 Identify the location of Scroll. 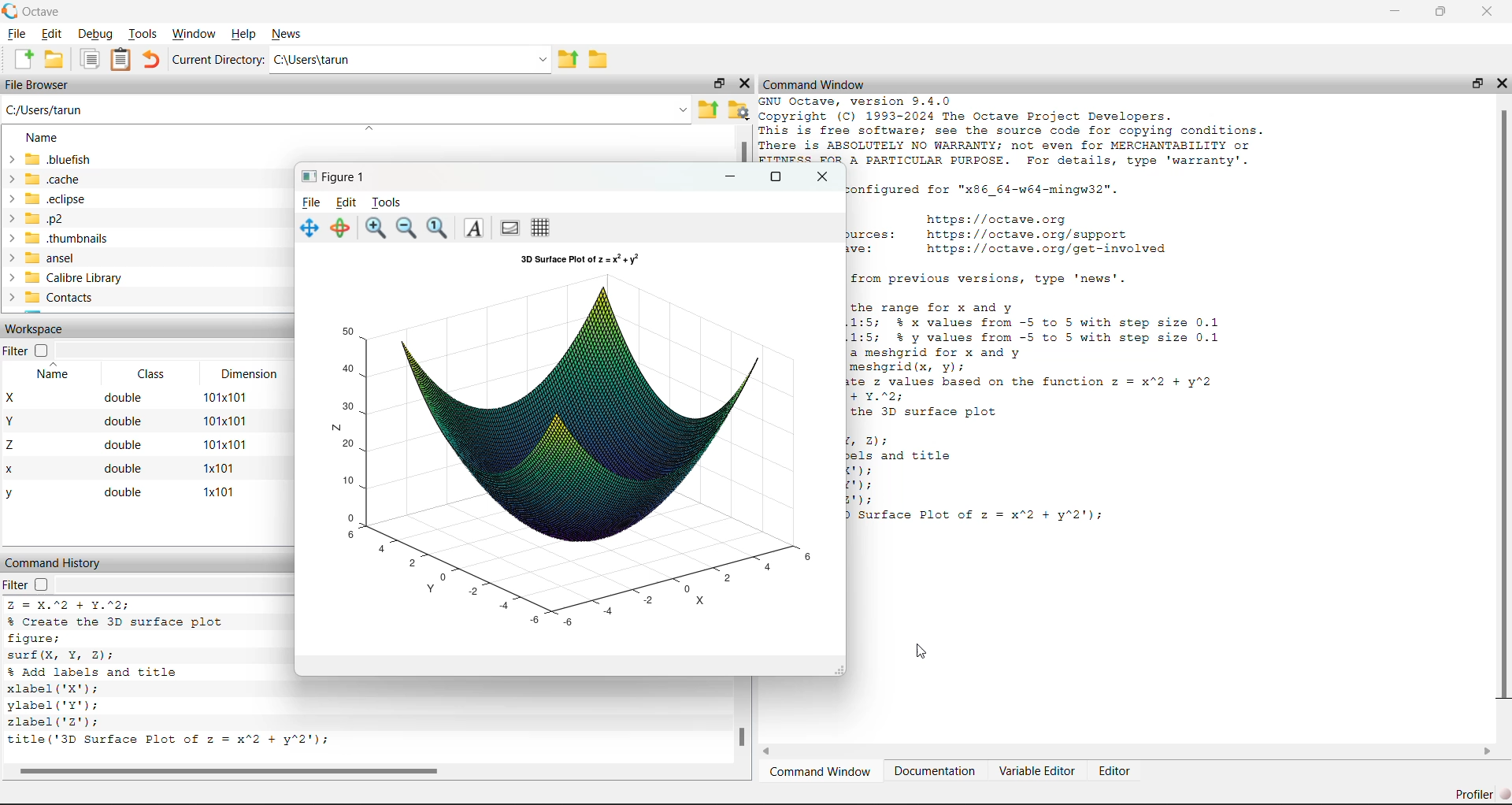
(742, 147).